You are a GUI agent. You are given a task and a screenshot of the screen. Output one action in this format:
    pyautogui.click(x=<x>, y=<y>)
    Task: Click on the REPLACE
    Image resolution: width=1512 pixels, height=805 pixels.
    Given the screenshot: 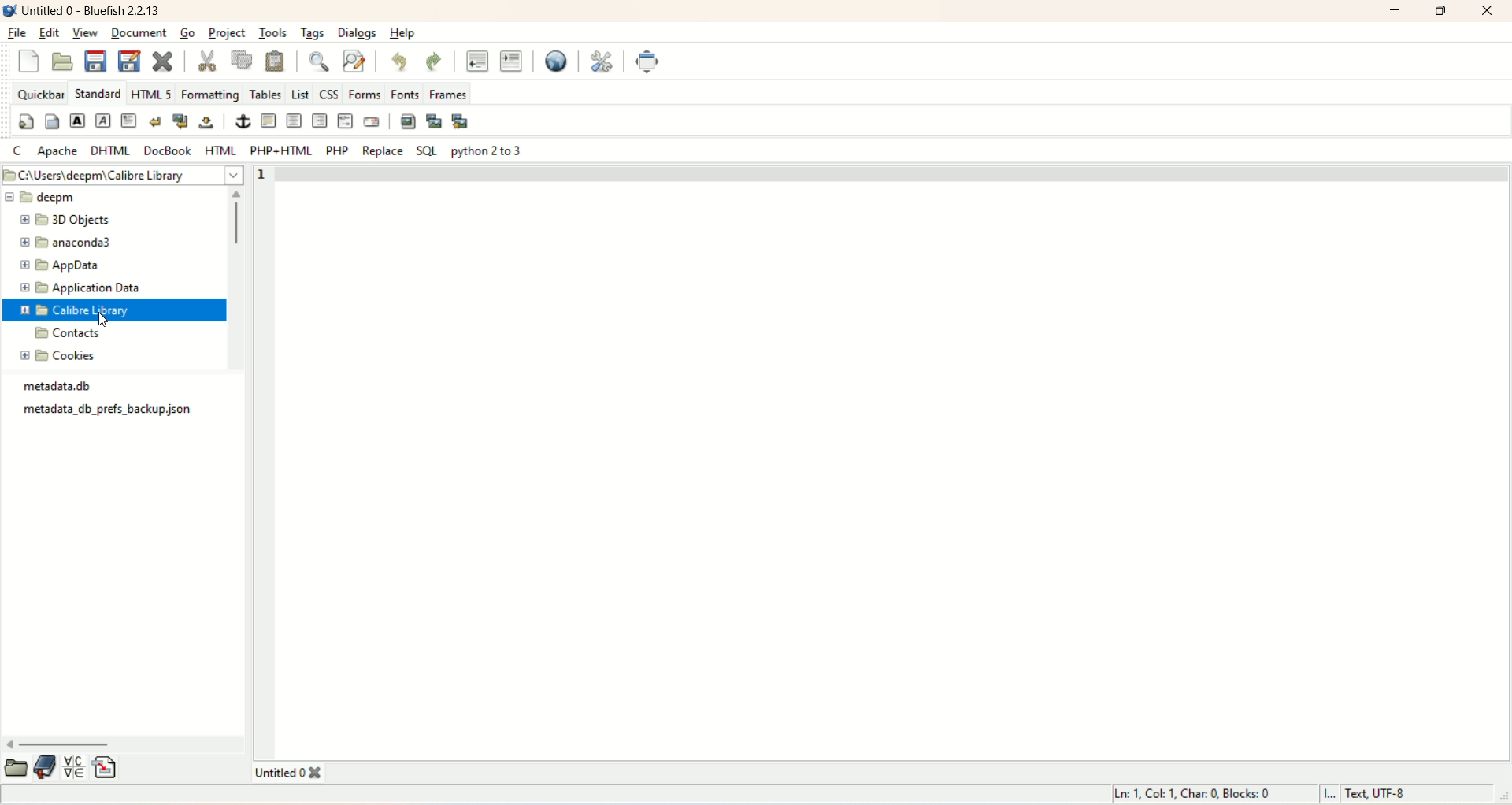 What is the action you would take?
    pyautogui.click(x=382, y=154)
    